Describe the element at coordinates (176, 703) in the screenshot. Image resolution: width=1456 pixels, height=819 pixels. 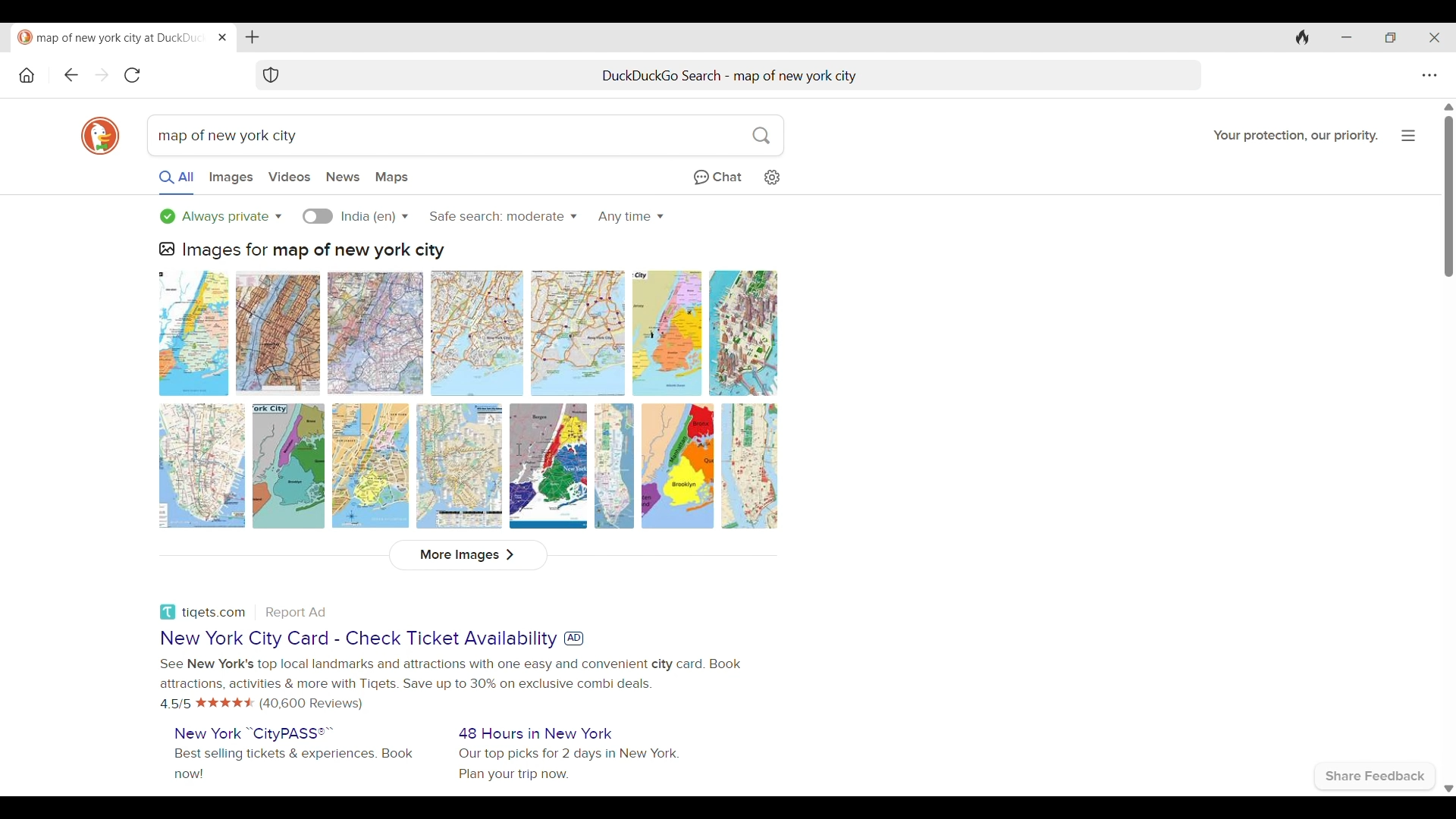
I see `45/5` at that location.